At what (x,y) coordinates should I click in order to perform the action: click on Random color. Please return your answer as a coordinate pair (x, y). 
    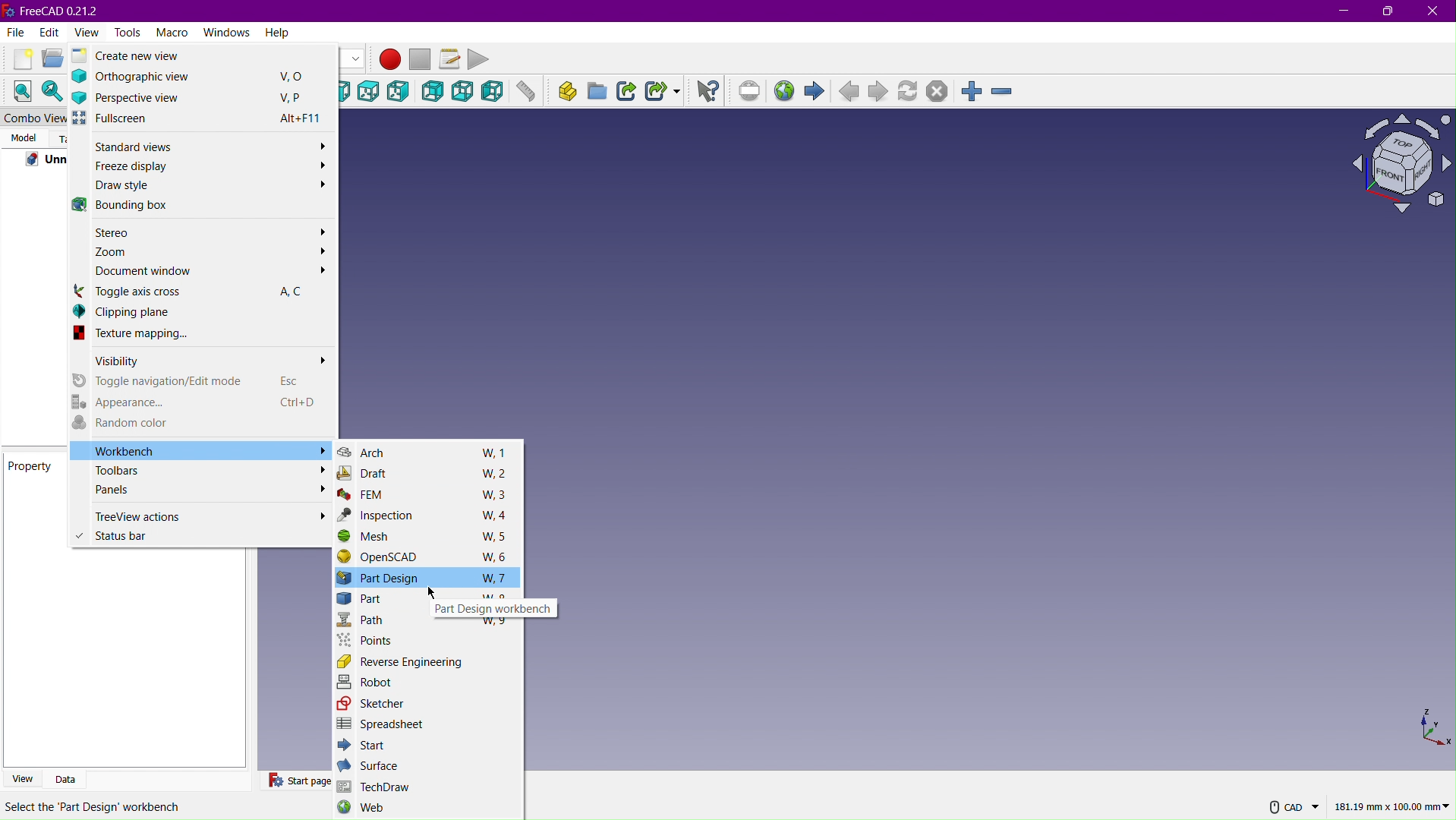
    Looking at the image, I should click on (203, 424).